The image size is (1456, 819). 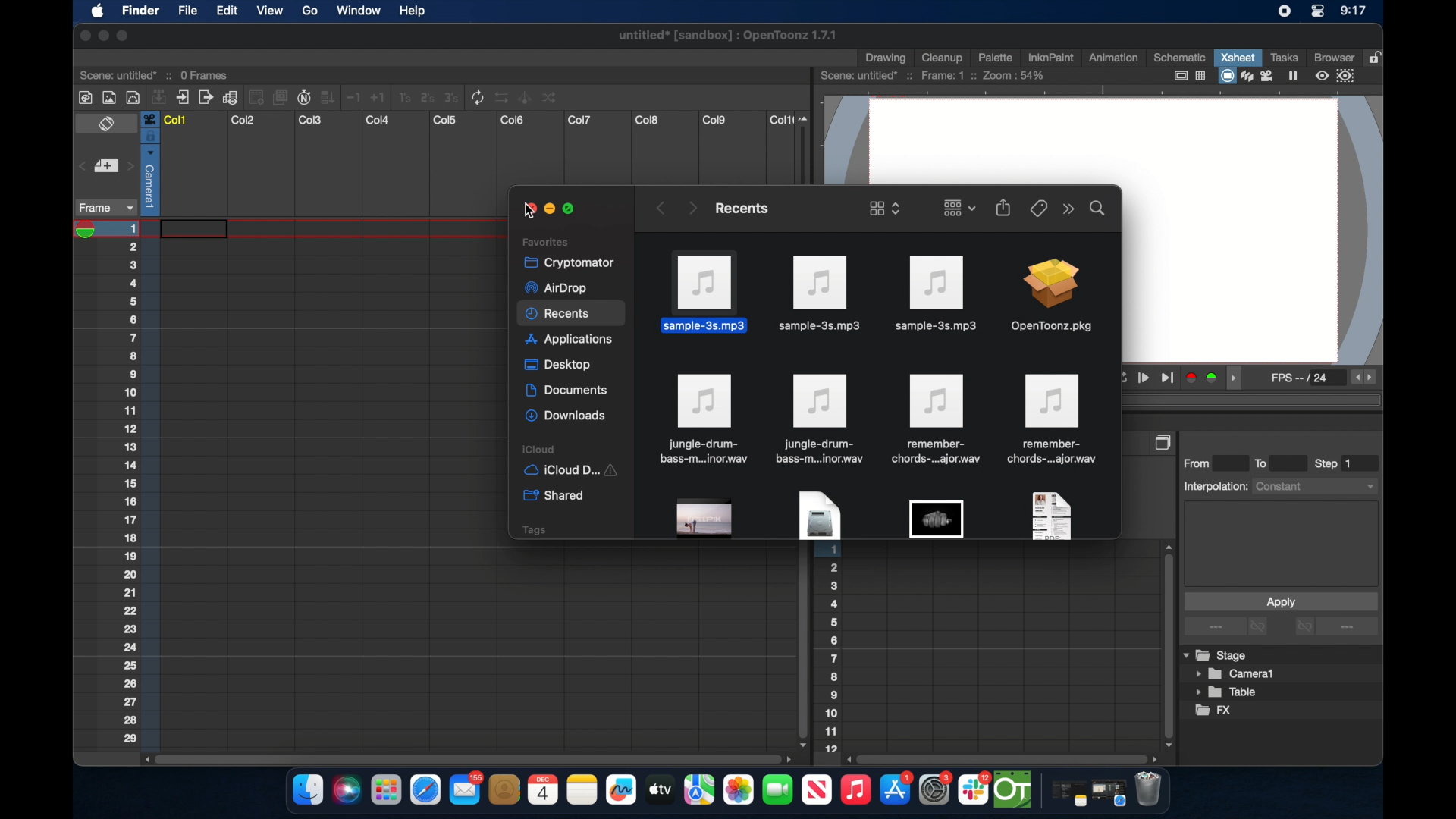 What do you see at coordinates (702, 419) in the screenshot?
I see `file` at bounding box center [702, 419].